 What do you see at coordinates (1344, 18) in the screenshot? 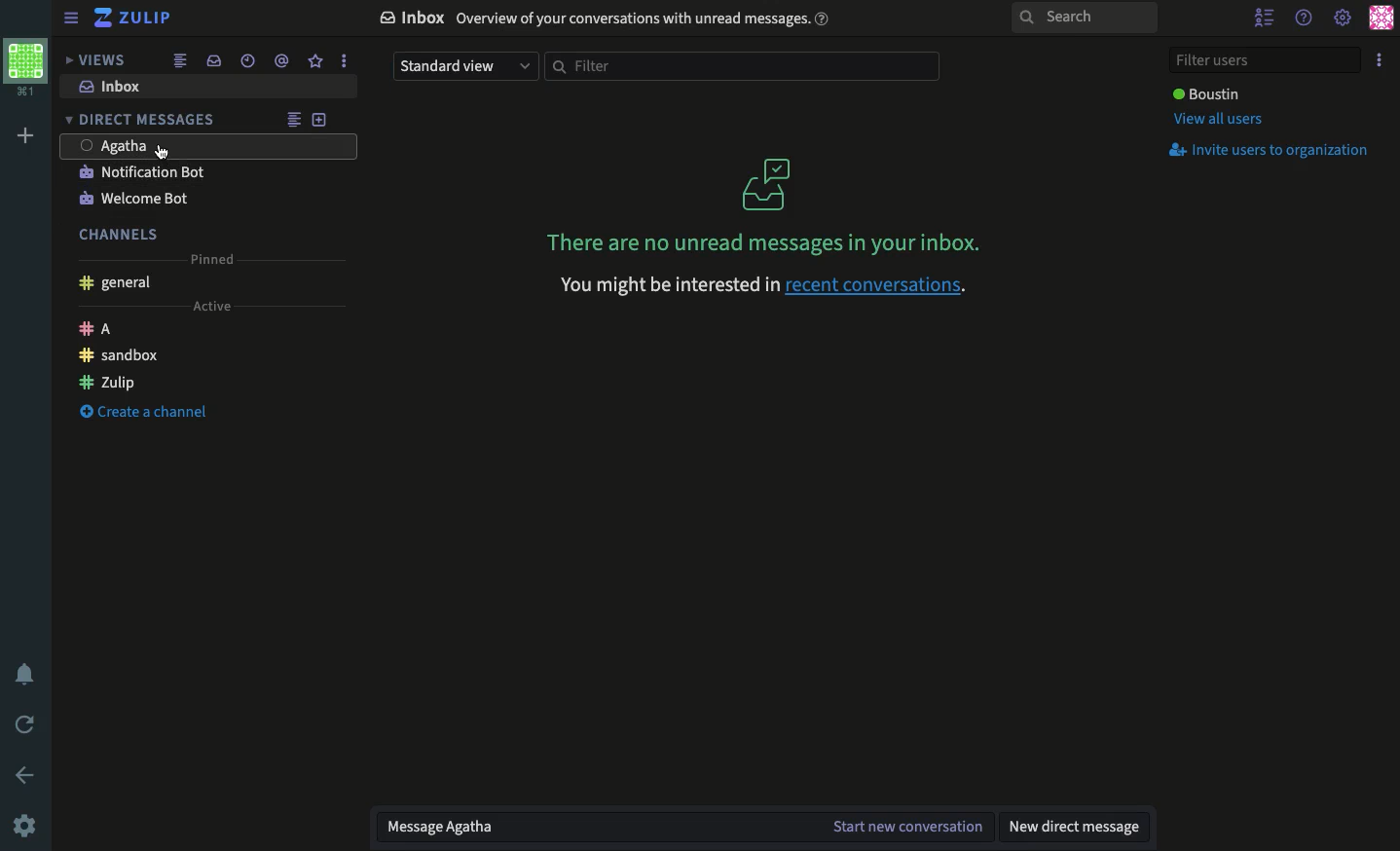
I see `Settings` at bounding box center [1344, 18].